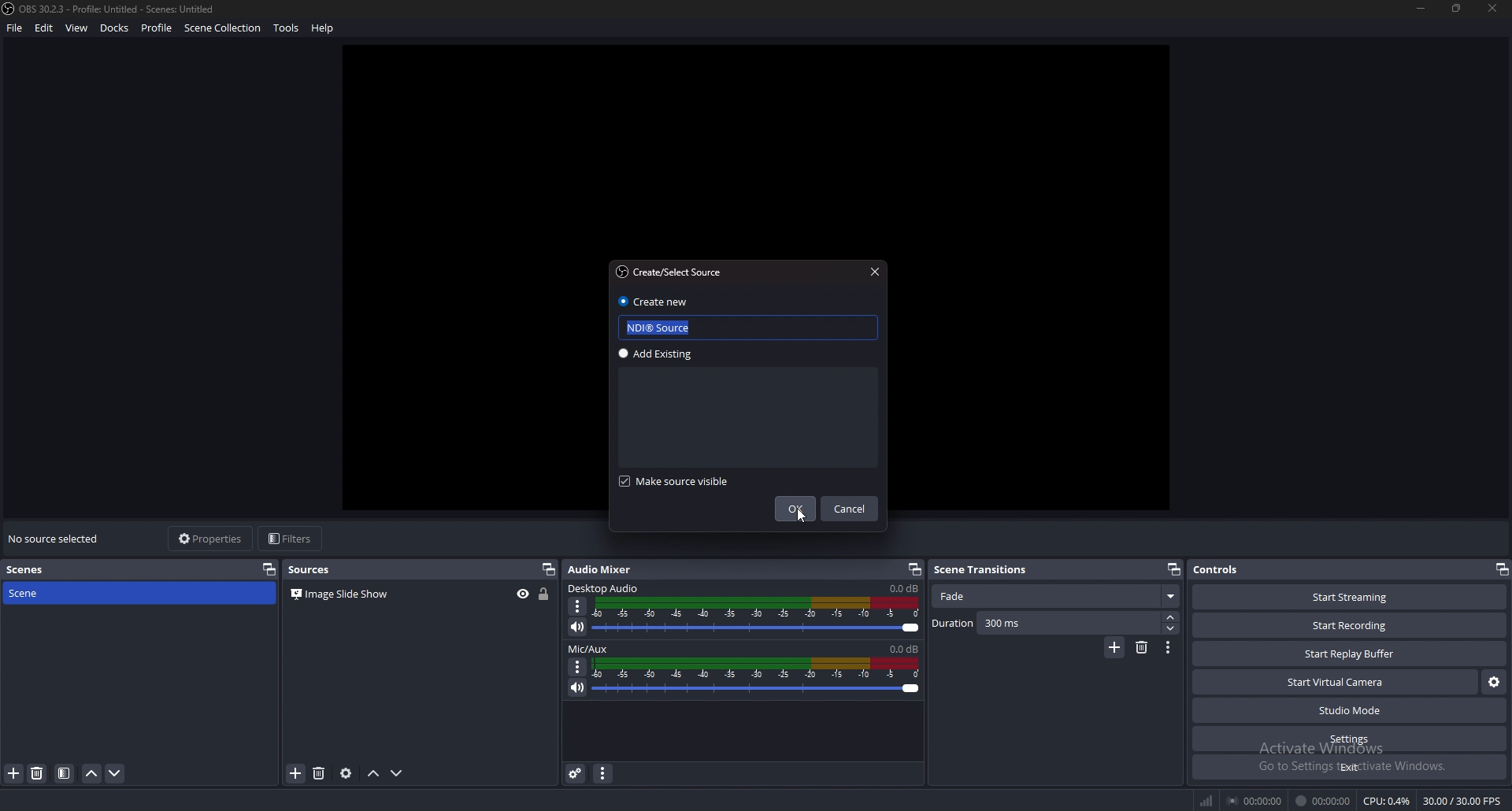  What do you see at coordinates (56, 538) in the screenshot?
I see `no source selected` at bounding box center [56, 538].